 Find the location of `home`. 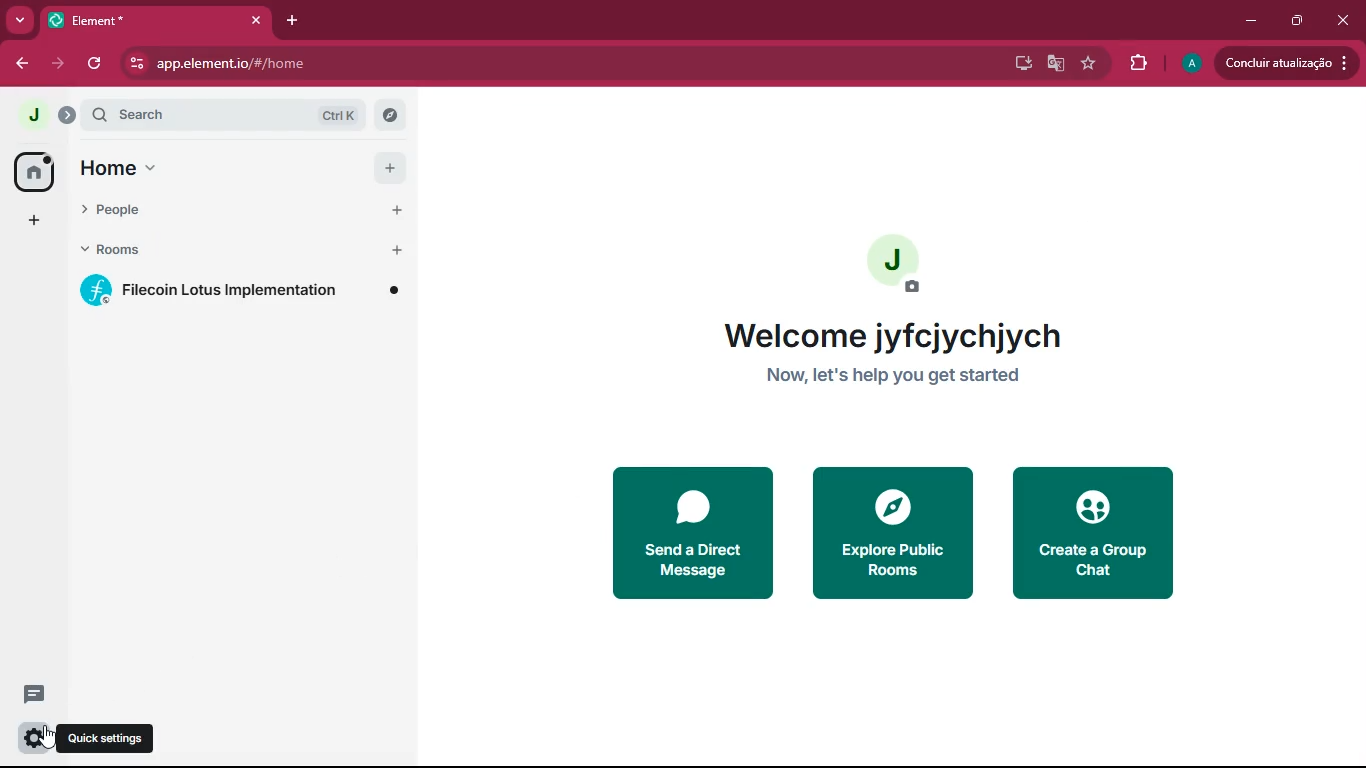

home is located at coordinates (240, 169).